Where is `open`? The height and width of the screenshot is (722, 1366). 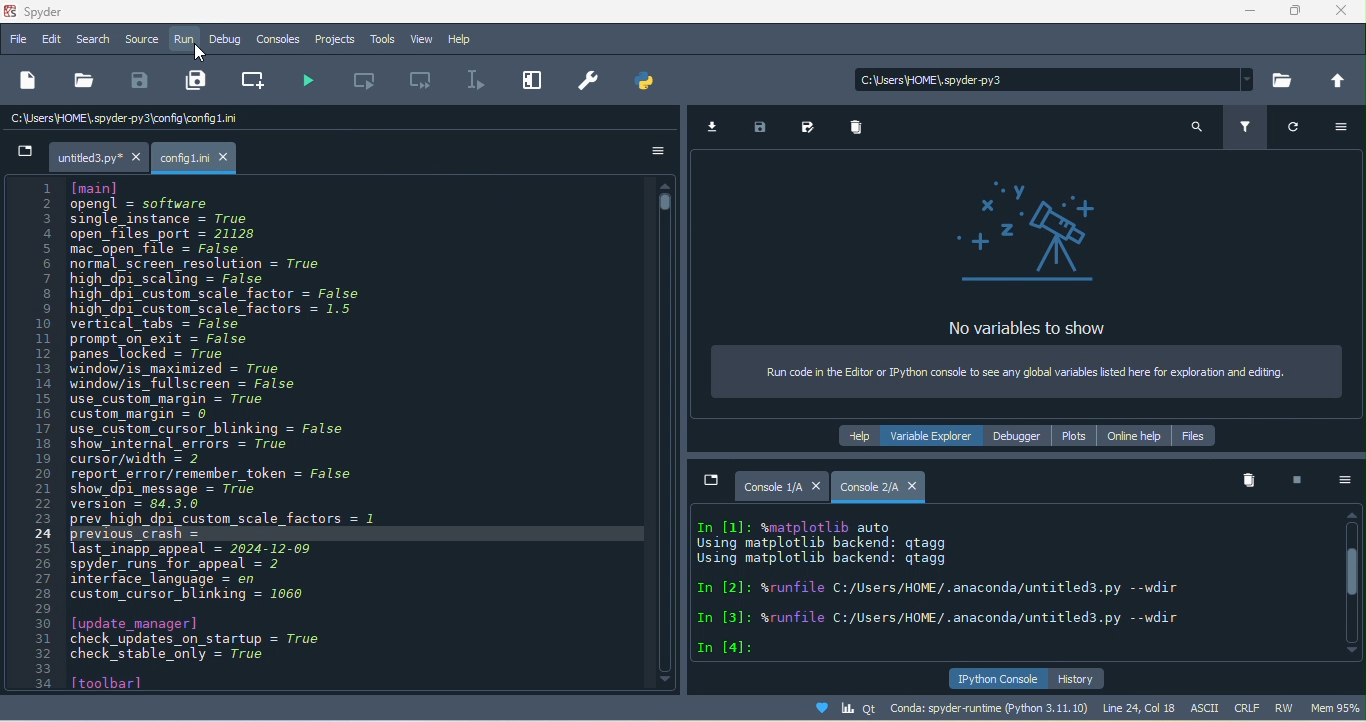 open is located at coordinates (81, 80).